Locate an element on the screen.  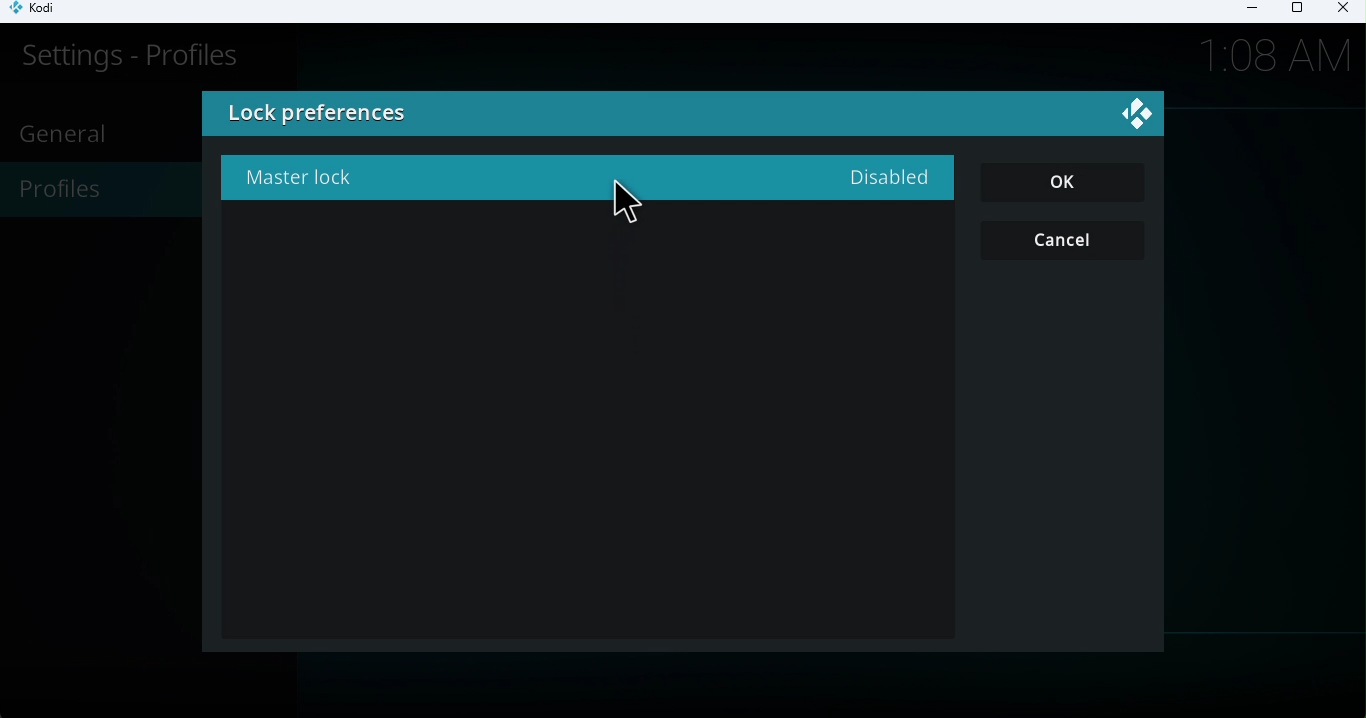
Profiles is located at coordinates (95, 192).